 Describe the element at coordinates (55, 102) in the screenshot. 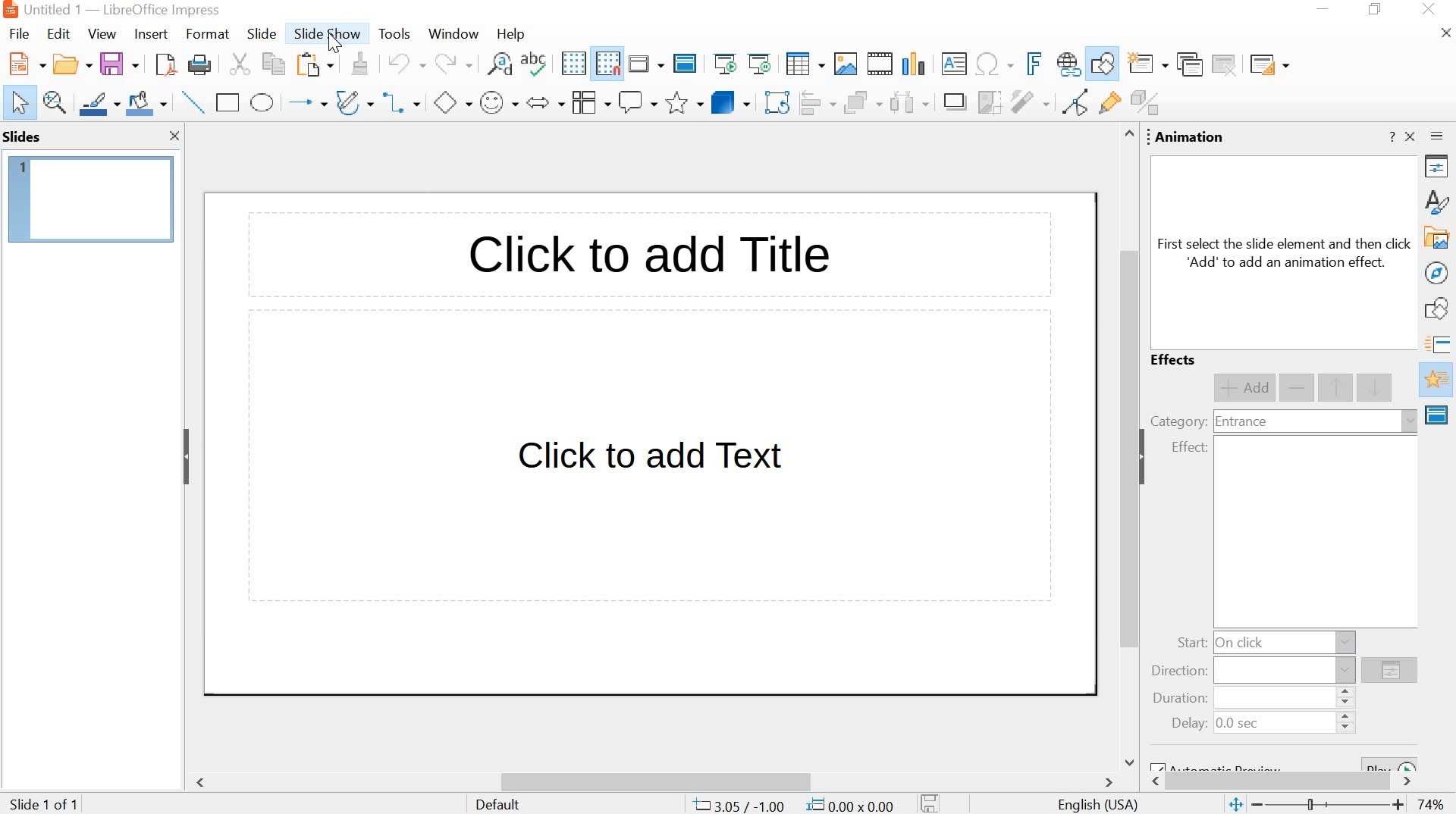

I see `zoom and pan` at that location.